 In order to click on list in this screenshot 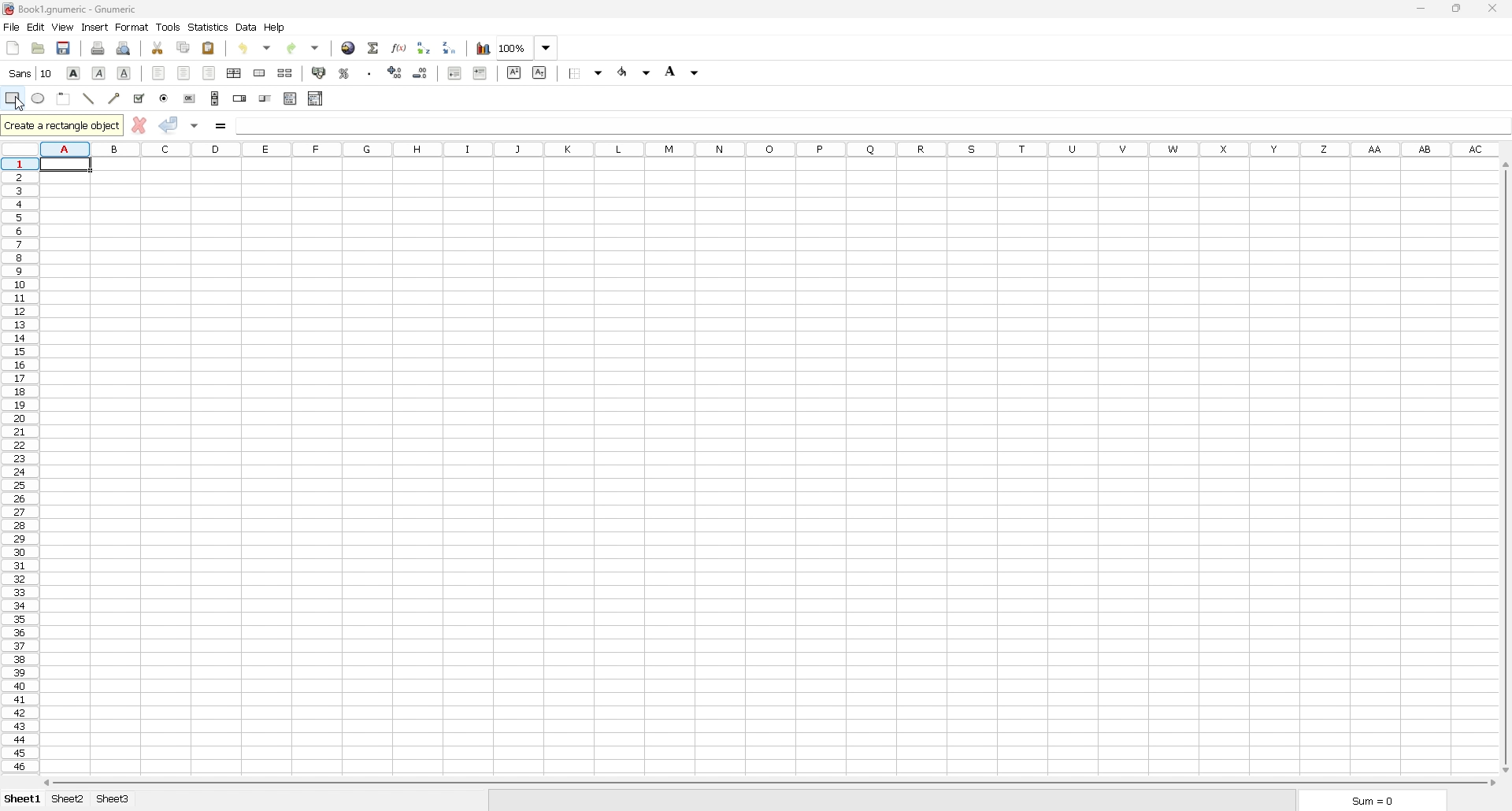, I will do `click(291, 98)`.